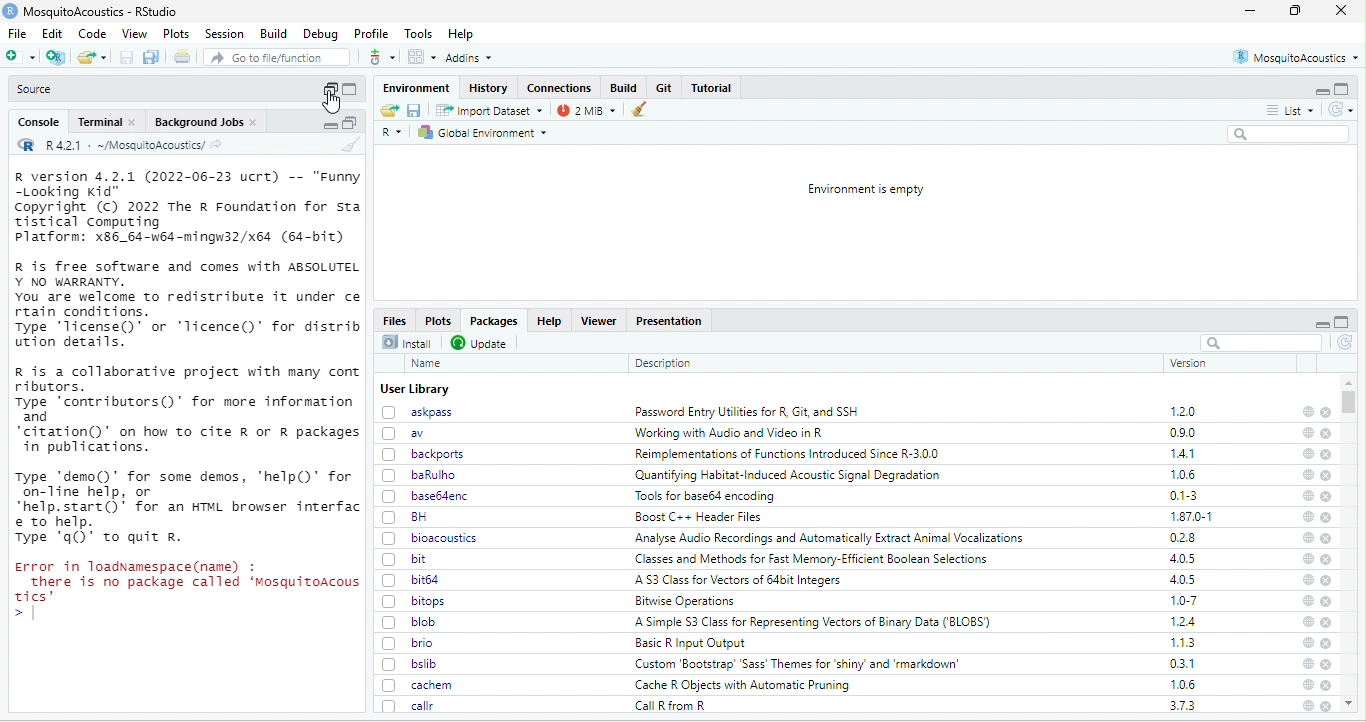 The image size is (1366, 722). I want to click on close, so click(1325, 559).